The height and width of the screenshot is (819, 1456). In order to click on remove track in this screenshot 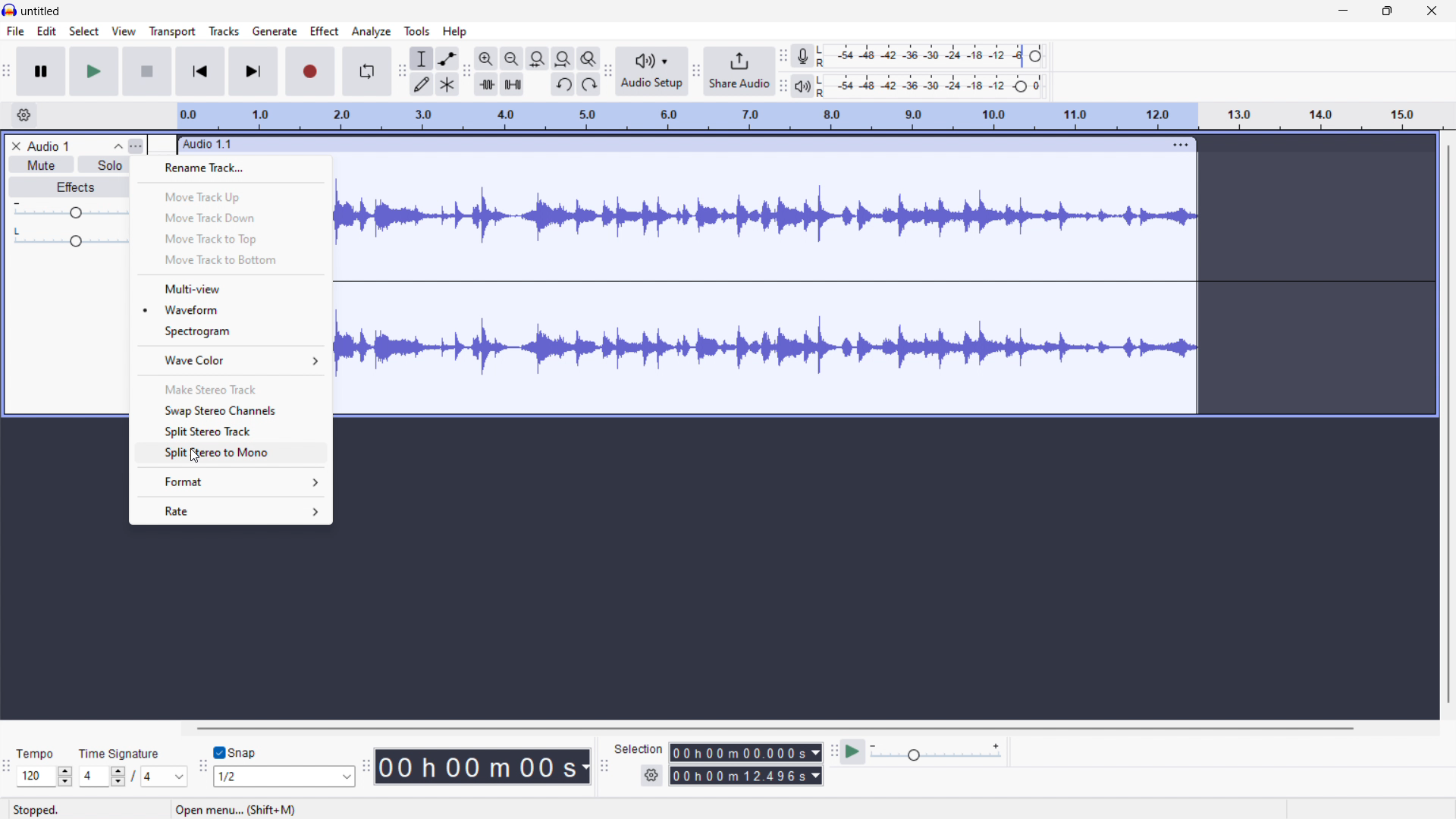, I will do `click(15, 146)`.